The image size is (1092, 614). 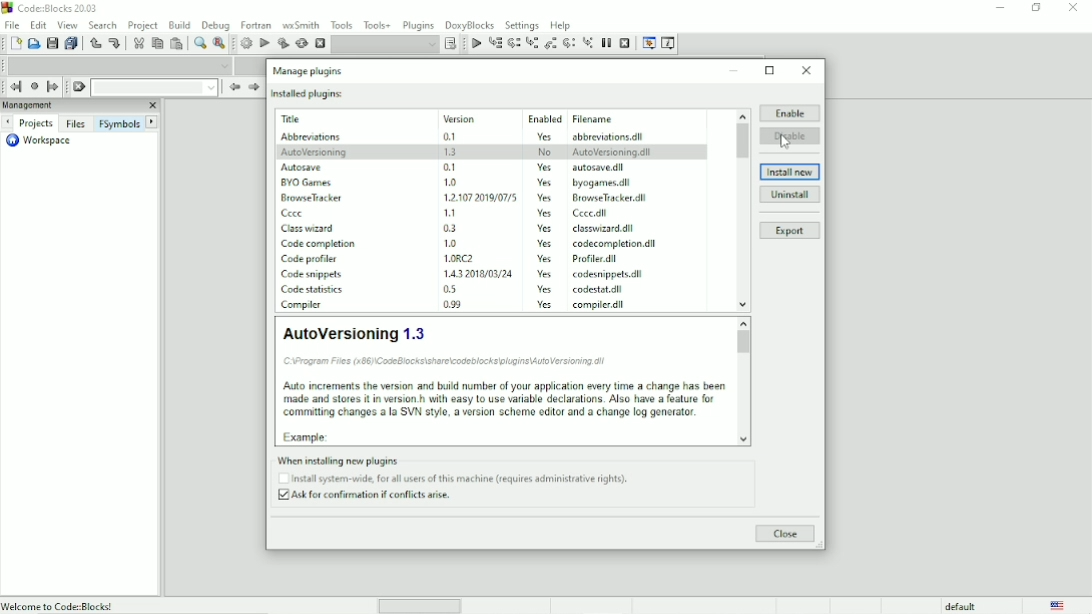 What do you see at coordinates (10, 24) in the screenshot?
I see `File` at bounding box center [10, 24].